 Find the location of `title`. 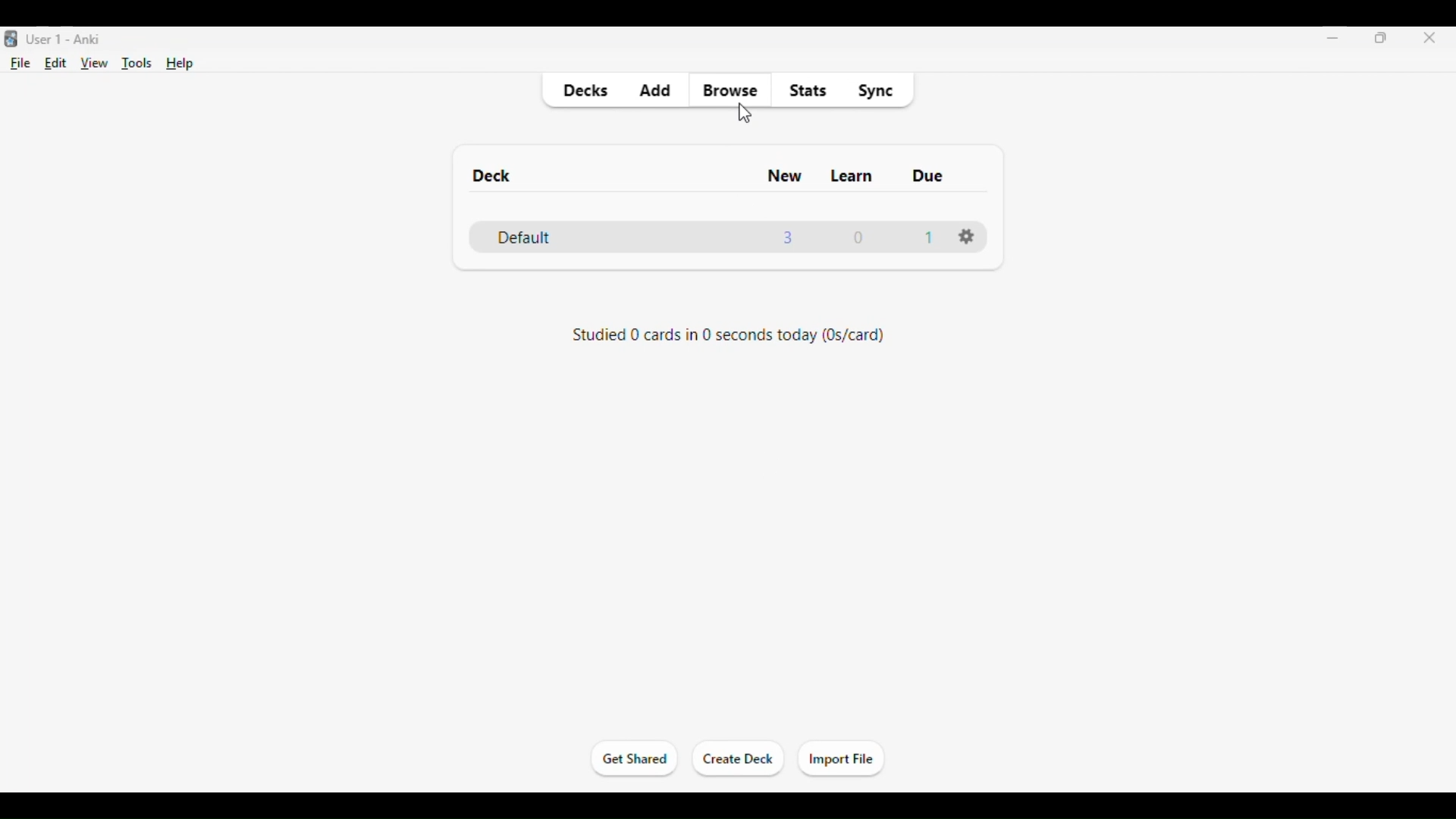

title is located at coordinates (65, 39).